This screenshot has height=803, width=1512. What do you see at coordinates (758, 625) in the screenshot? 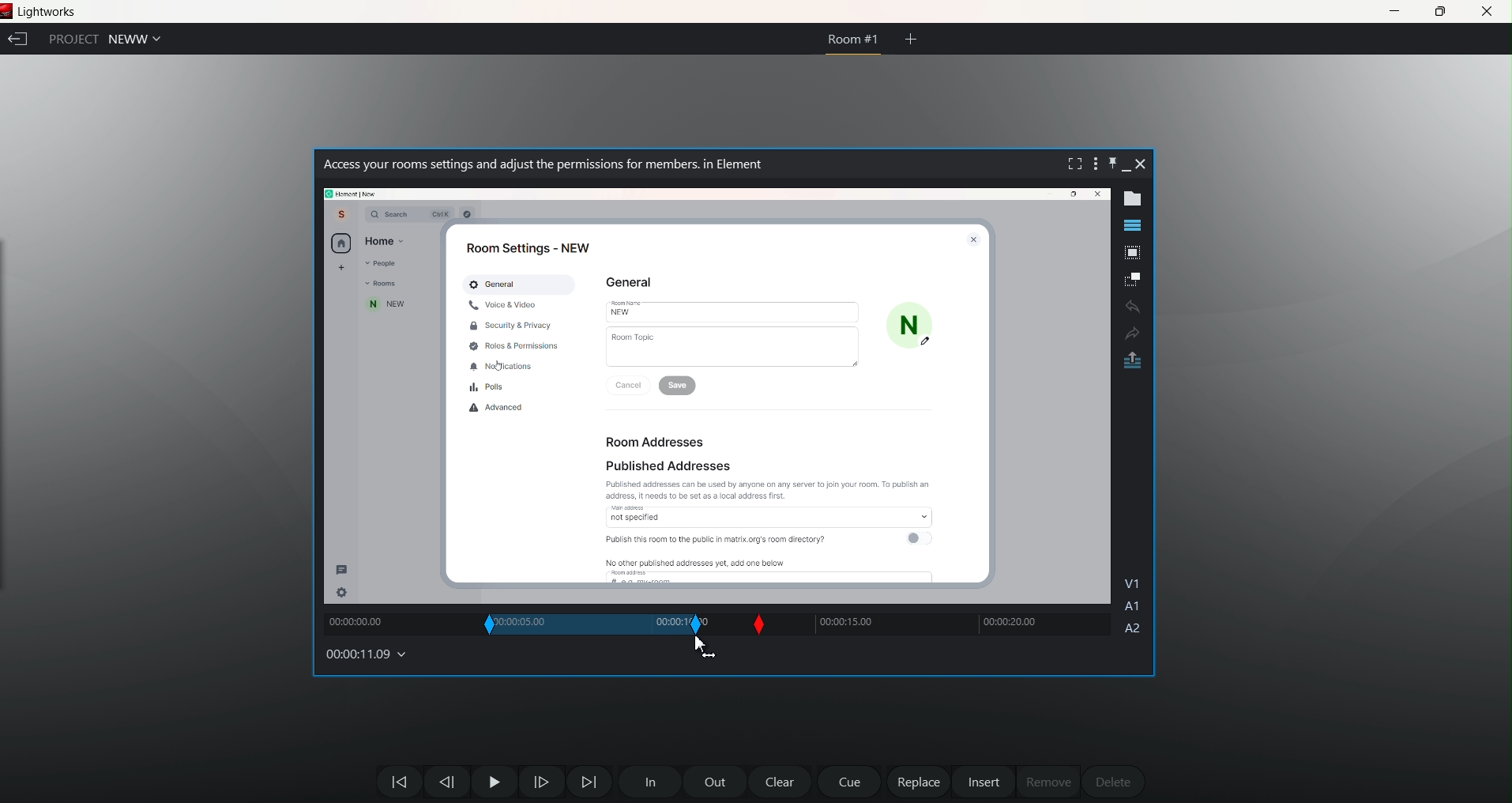
I see `Slip` at bounding box center [758, 625].